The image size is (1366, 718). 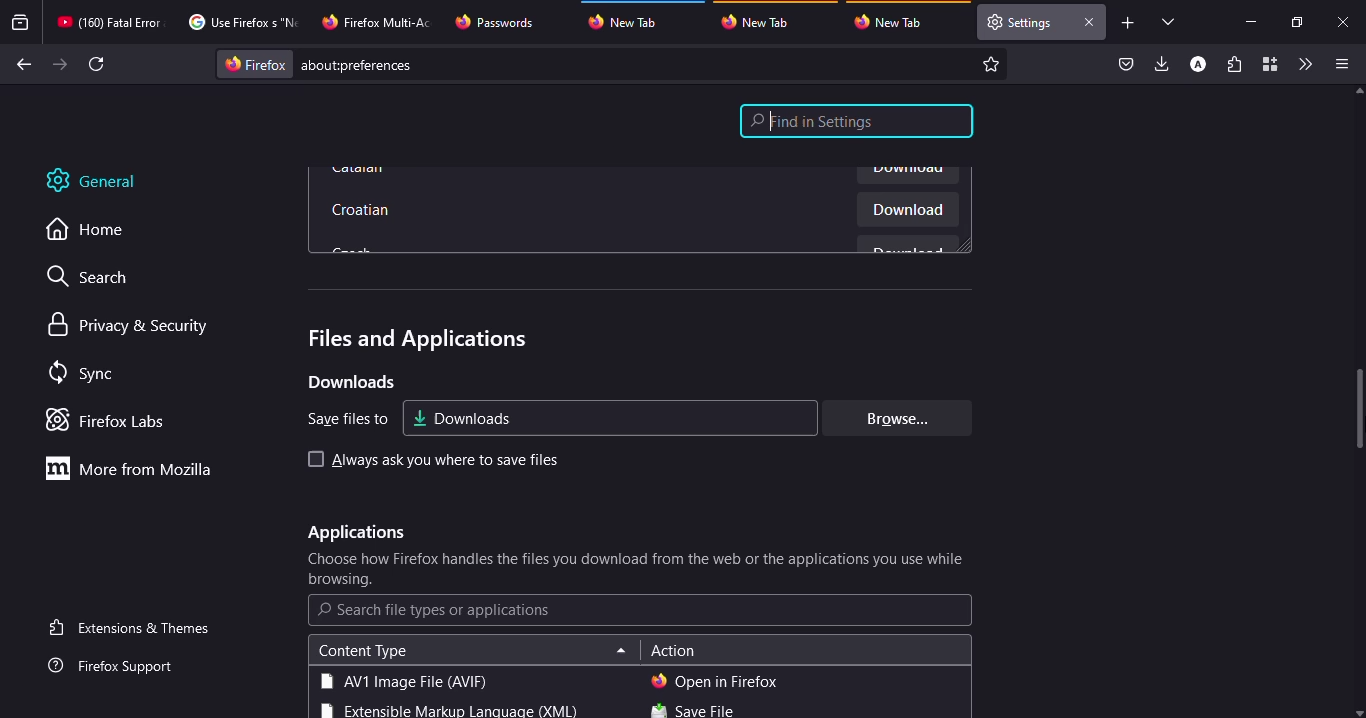 I want to click on search, so click(x=435, y=610).